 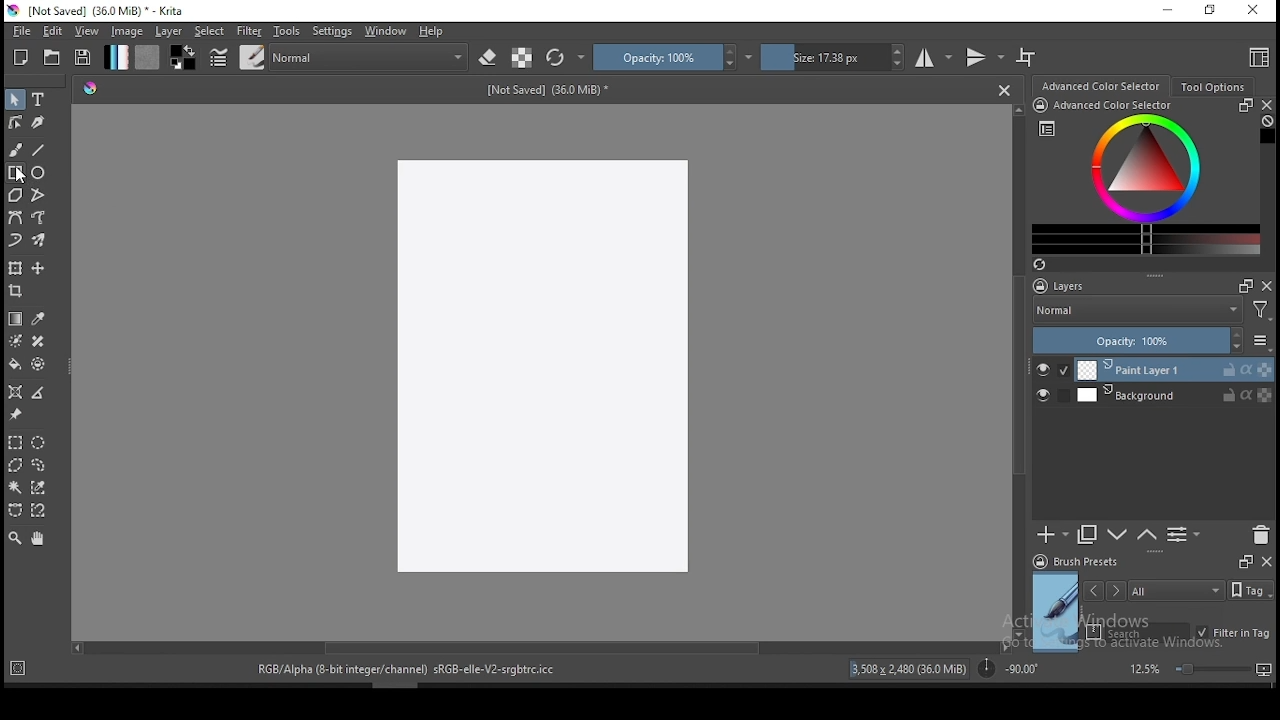 I want to click on blending mode, so click(x=370, y=57).